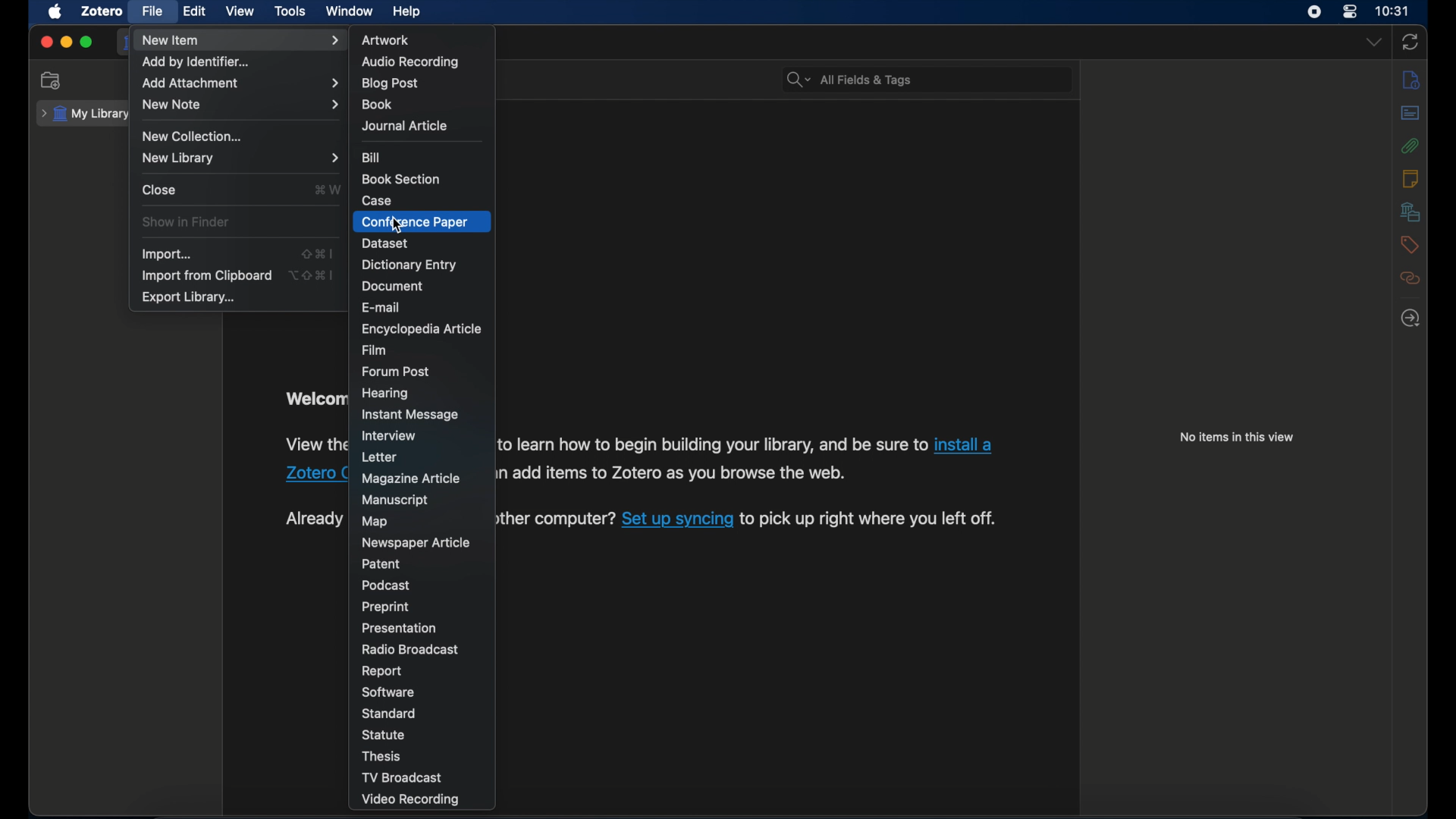 The image size is (1456, 819). I want to click on export library, so click(188, 297).